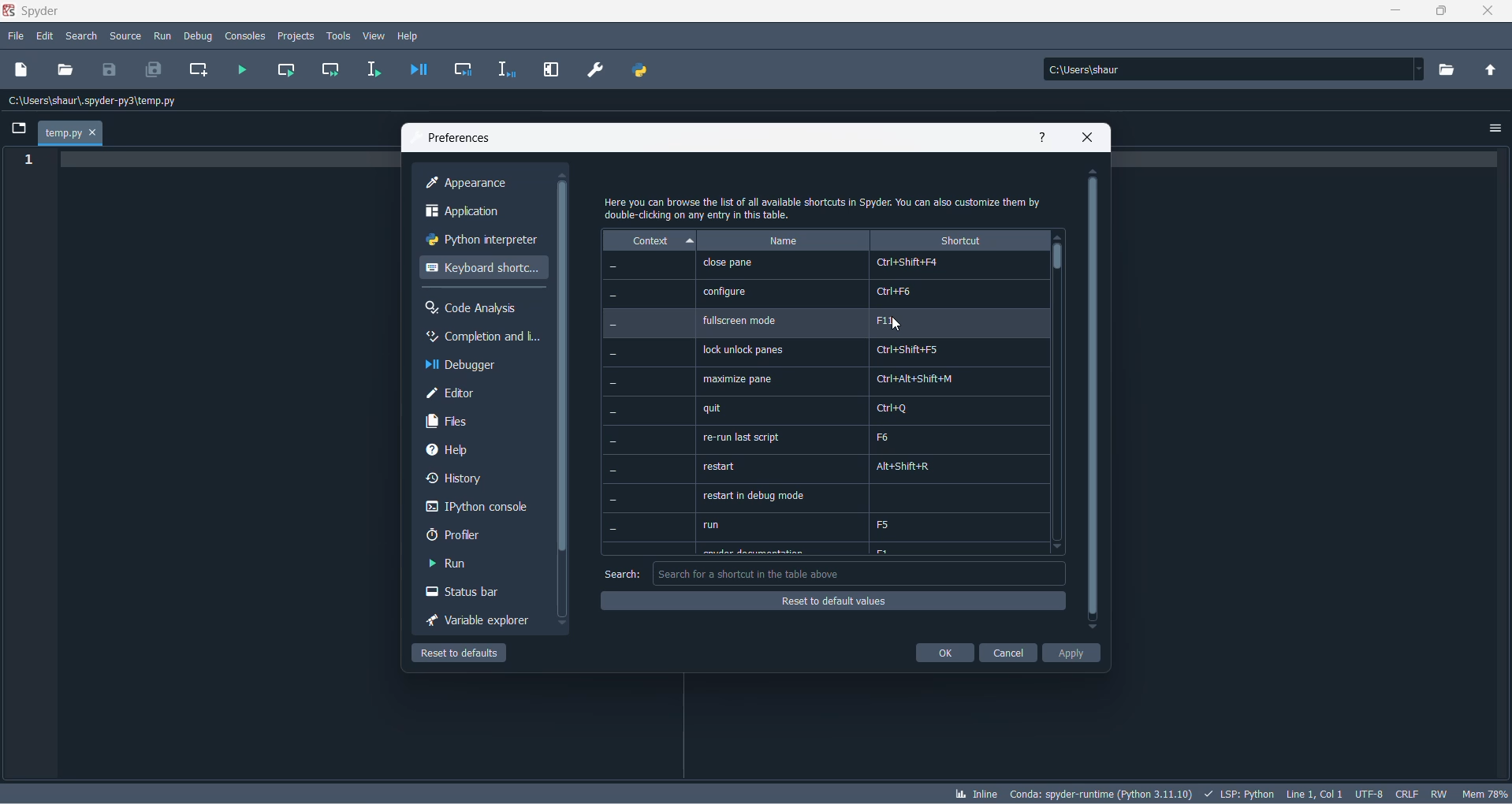  What do you see at coordinates (912, 351) in the screenshot?
I see `Crl+Shift+F5` at bounding box center [912, 351].